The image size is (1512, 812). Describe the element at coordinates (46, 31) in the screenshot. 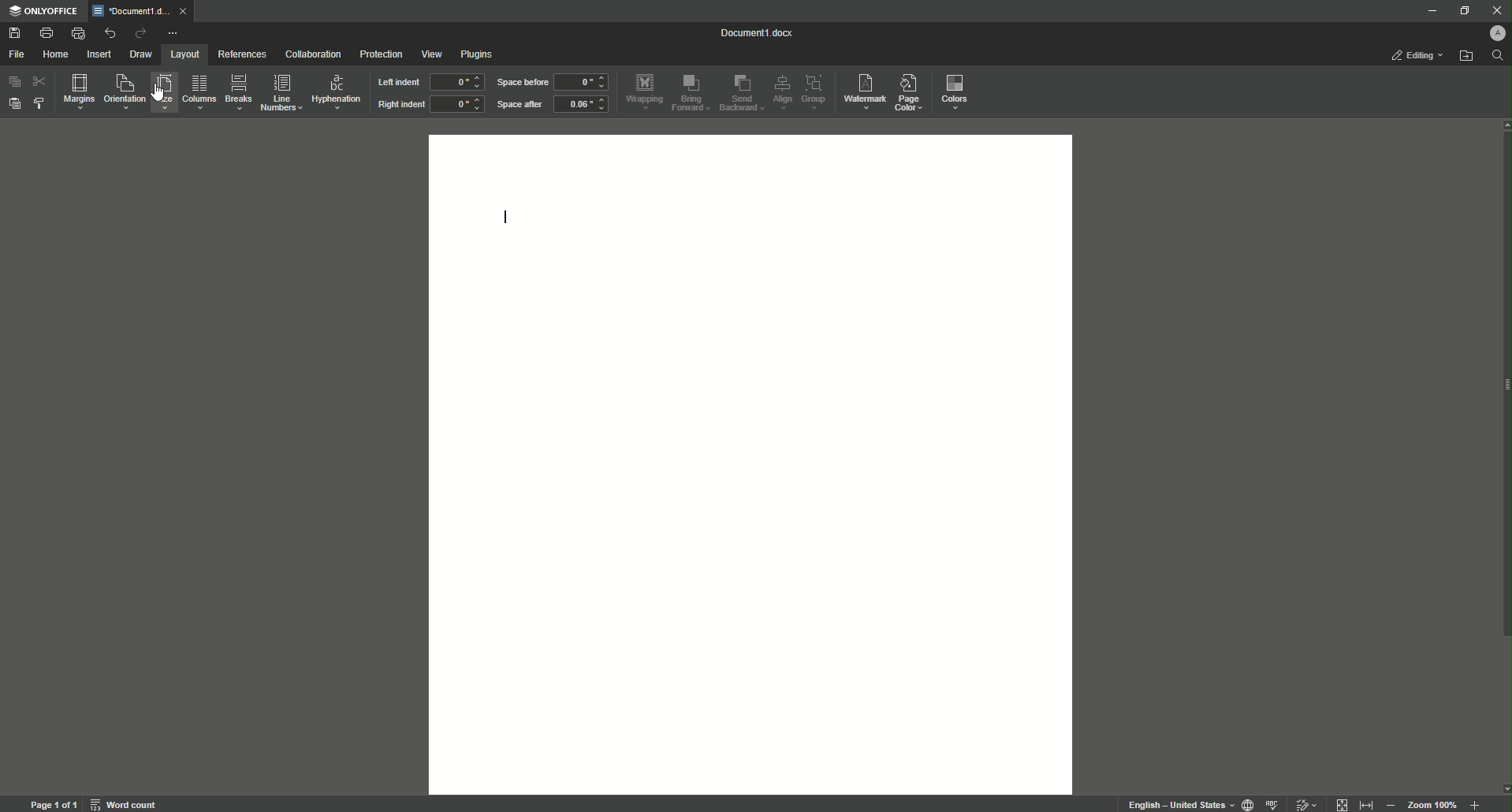

I see `Print` at that location.